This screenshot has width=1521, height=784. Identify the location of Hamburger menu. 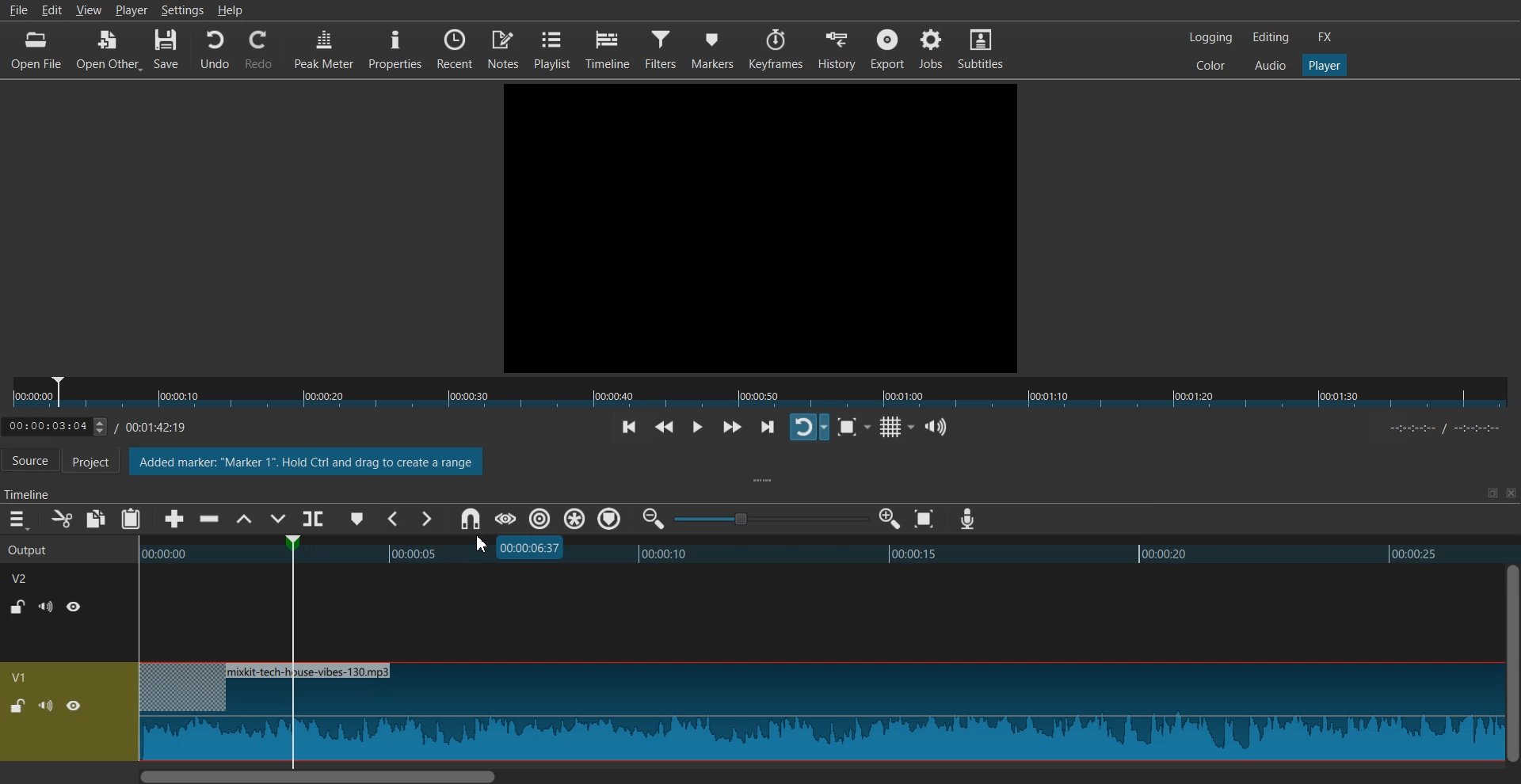
(17, 519).